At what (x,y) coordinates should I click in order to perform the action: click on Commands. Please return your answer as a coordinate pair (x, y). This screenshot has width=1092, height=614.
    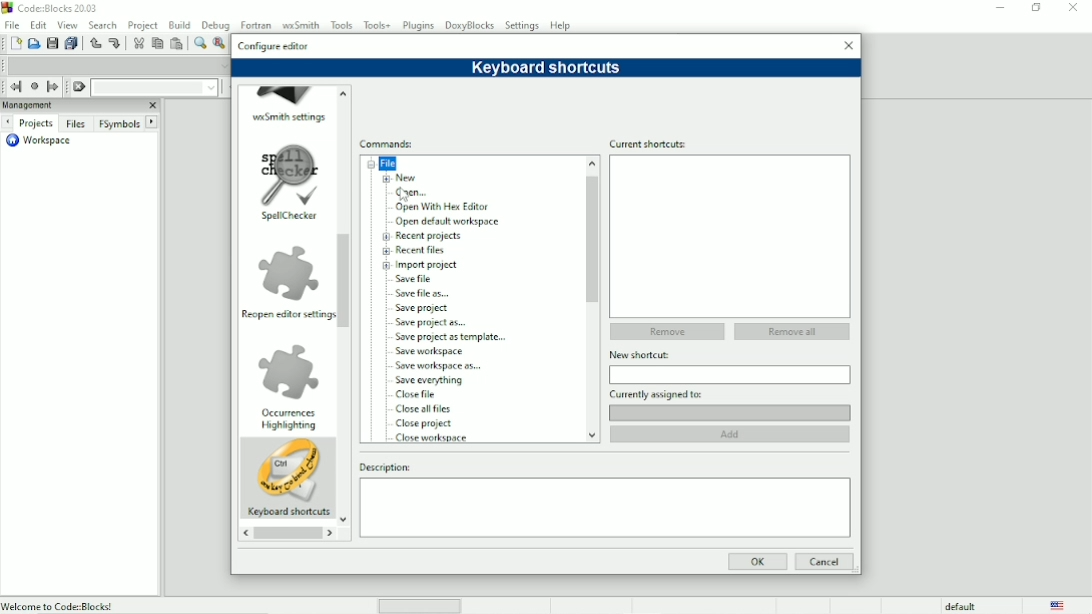
    Looking at the image, I should click on (390, 144).